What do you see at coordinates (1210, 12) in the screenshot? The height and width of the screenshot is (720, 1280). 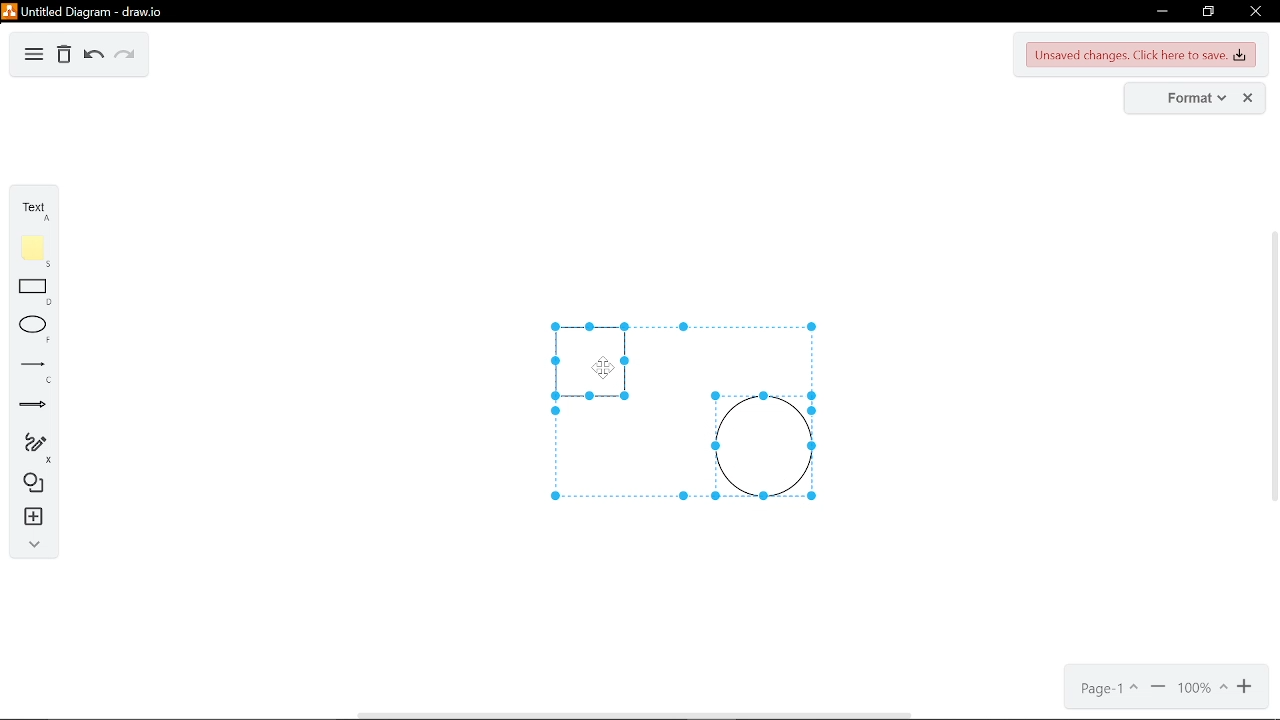 I see `restore down` at bounding box center [1210, 12].